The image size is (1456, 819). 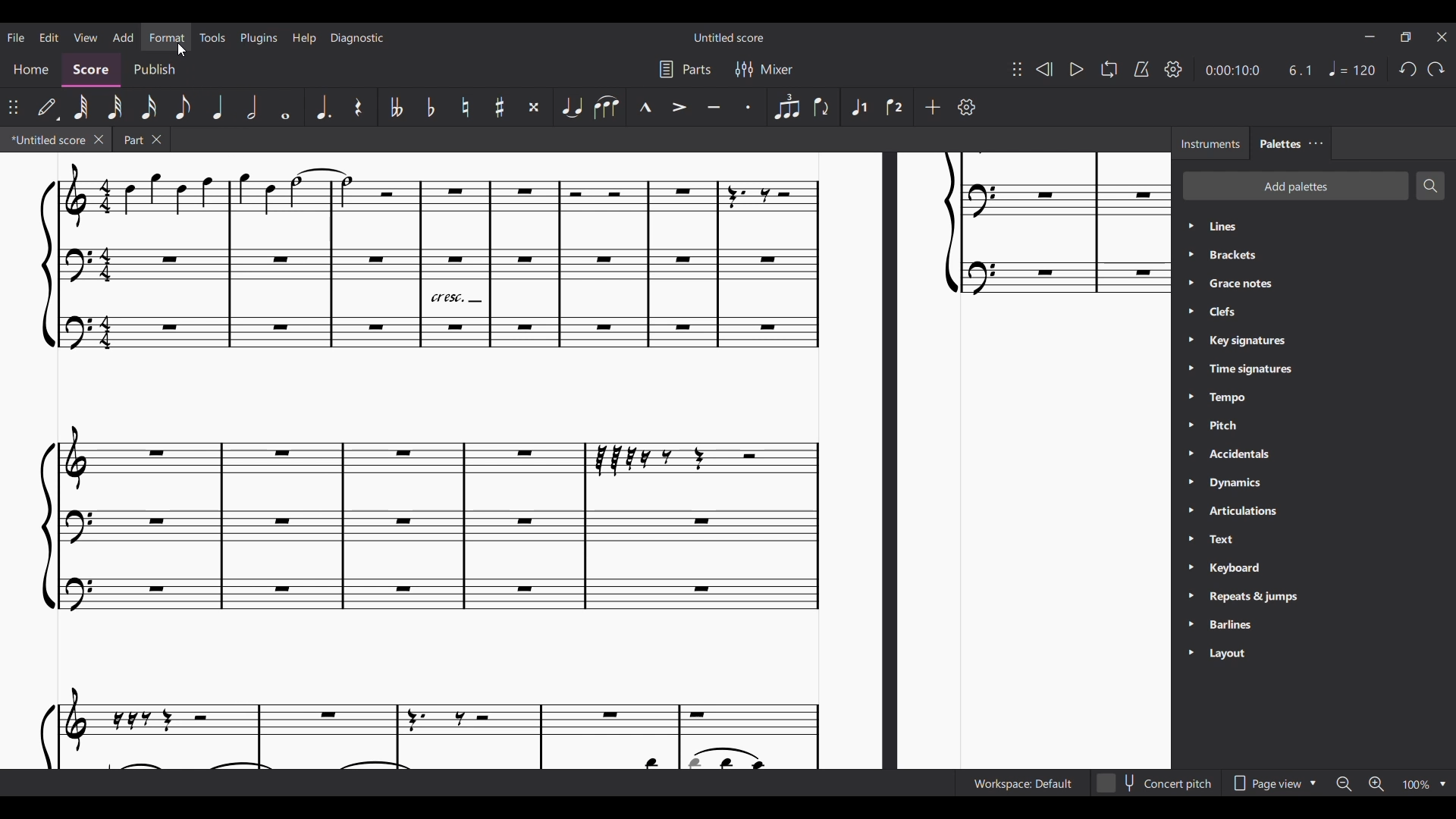 I want to click on File menu, so click(x=16, y=37).